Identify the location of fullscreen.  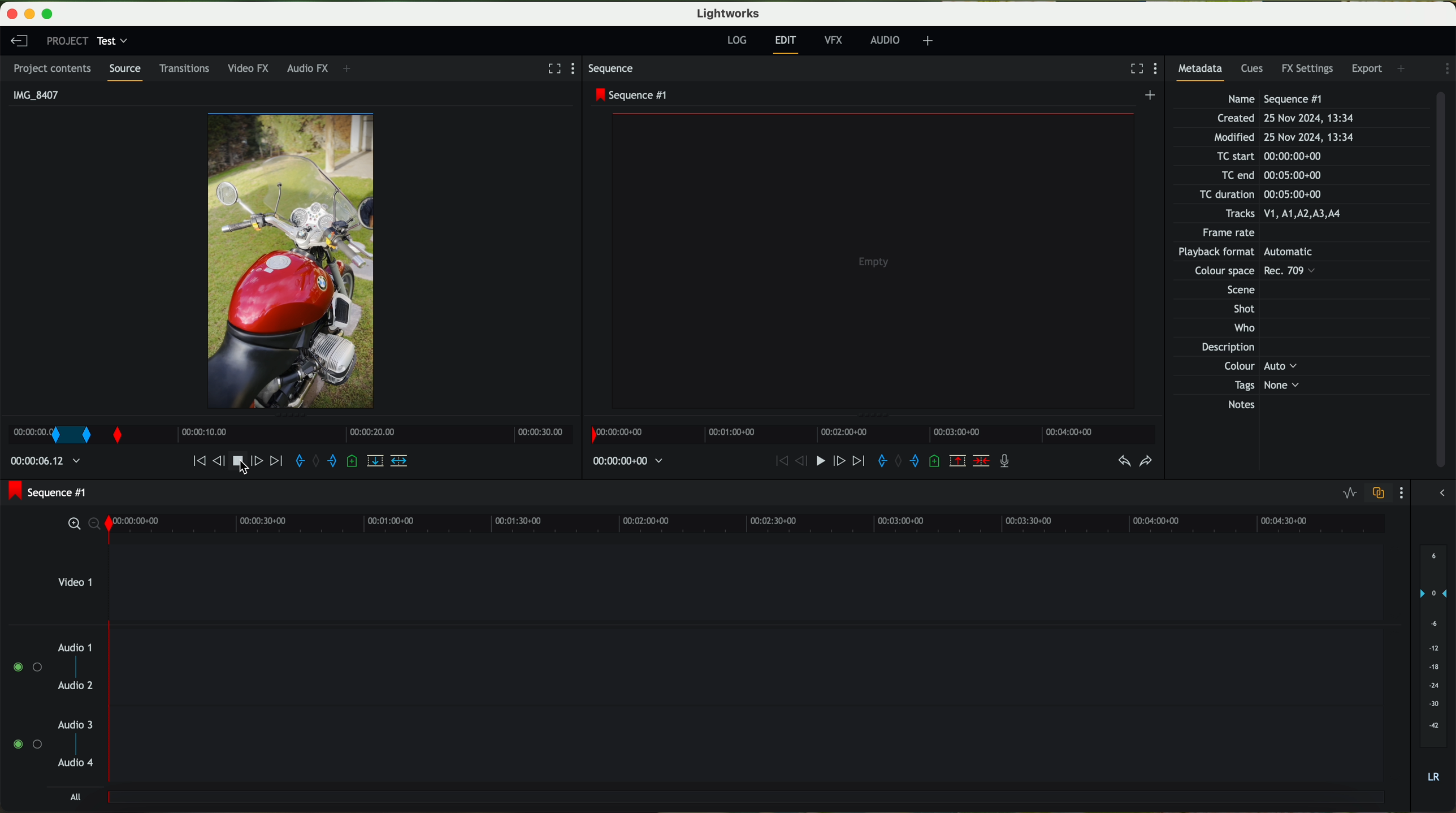
(552, 68).